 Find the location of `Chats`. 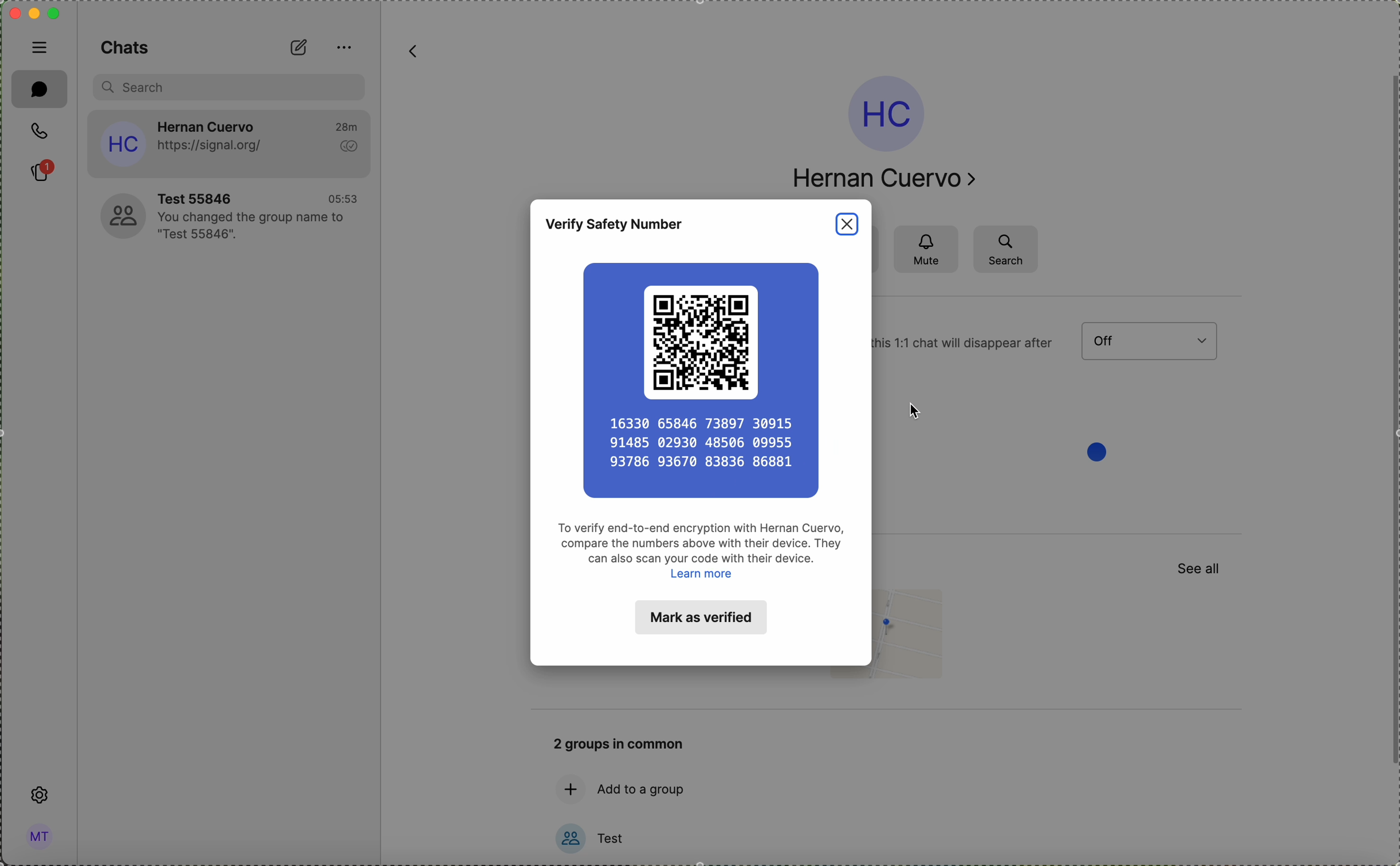

Chats is located at coordinates (128, 47).